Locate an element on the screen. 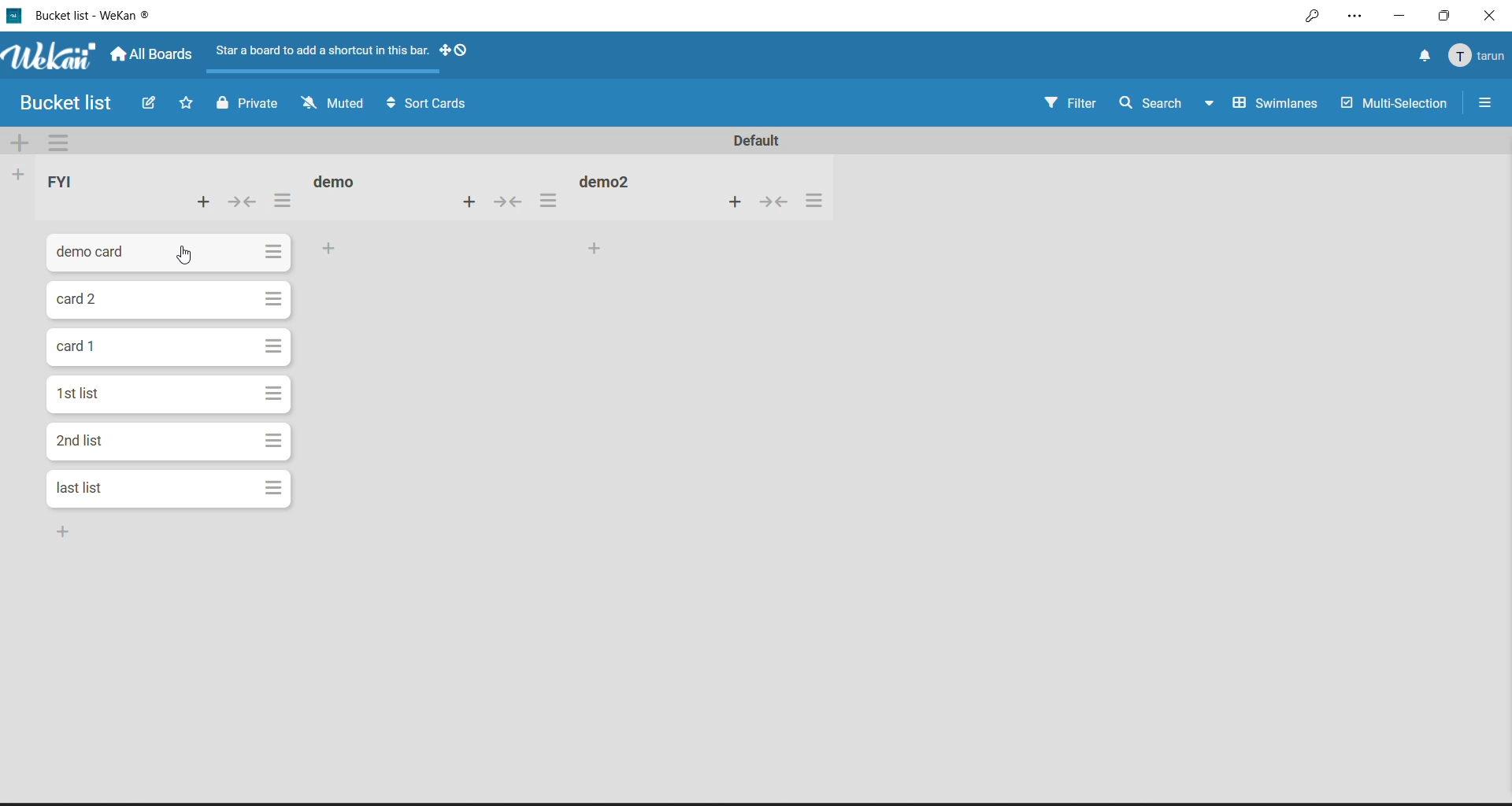  maximize is located at coordinates (1447, 13).